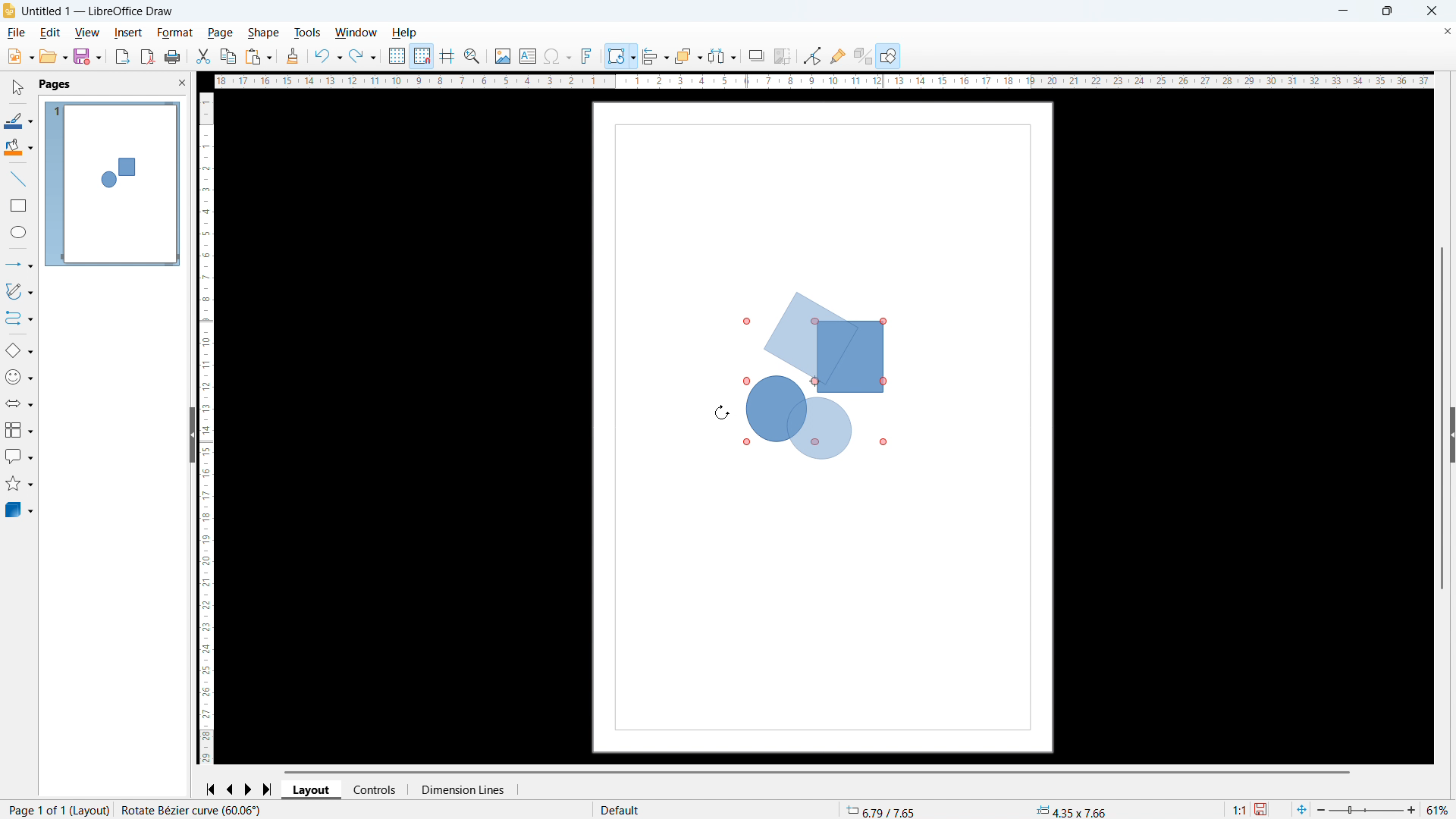  I want to click on Cursor, so click(721, 411).